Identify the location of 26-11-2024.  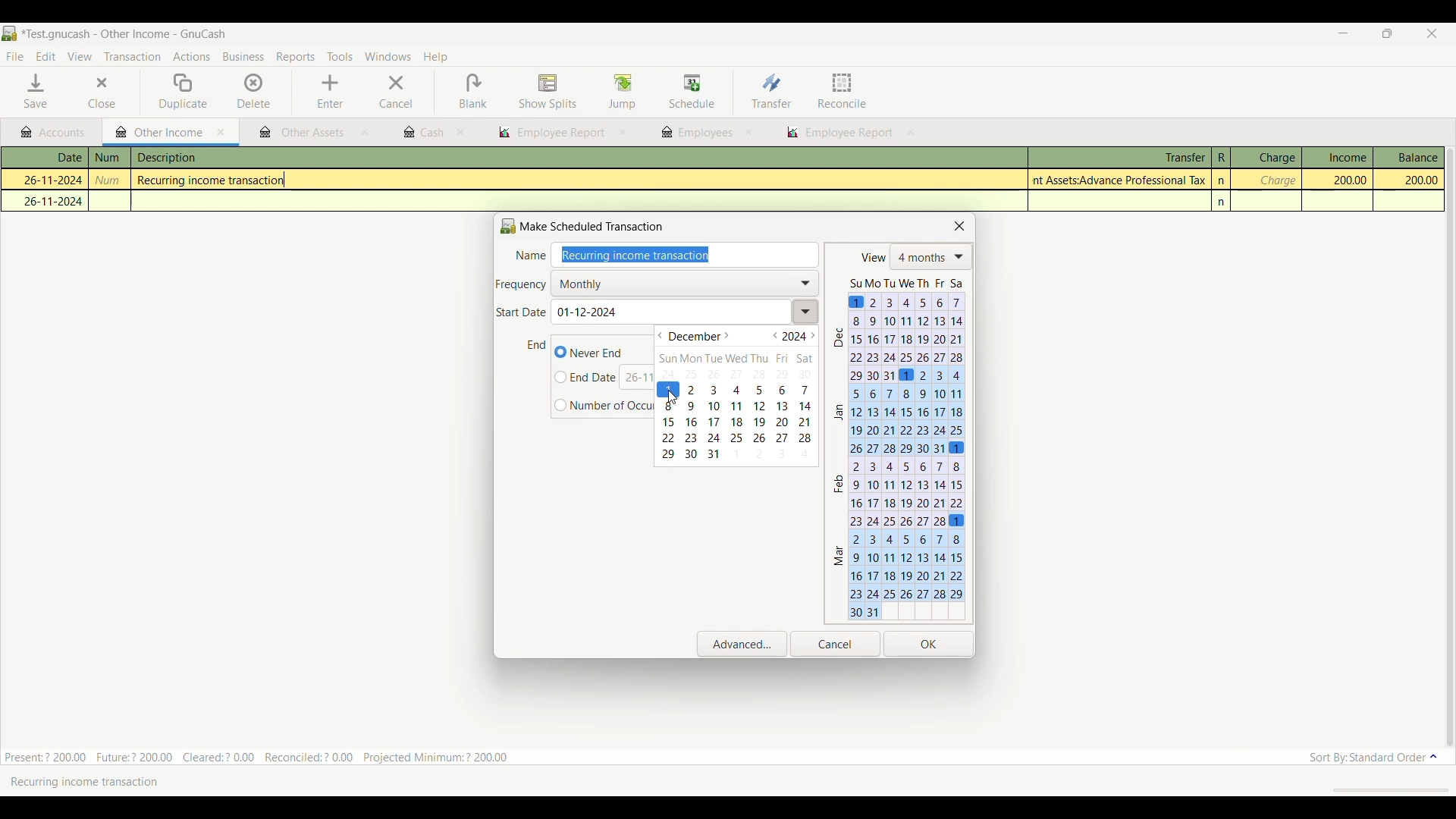
(46, 178).